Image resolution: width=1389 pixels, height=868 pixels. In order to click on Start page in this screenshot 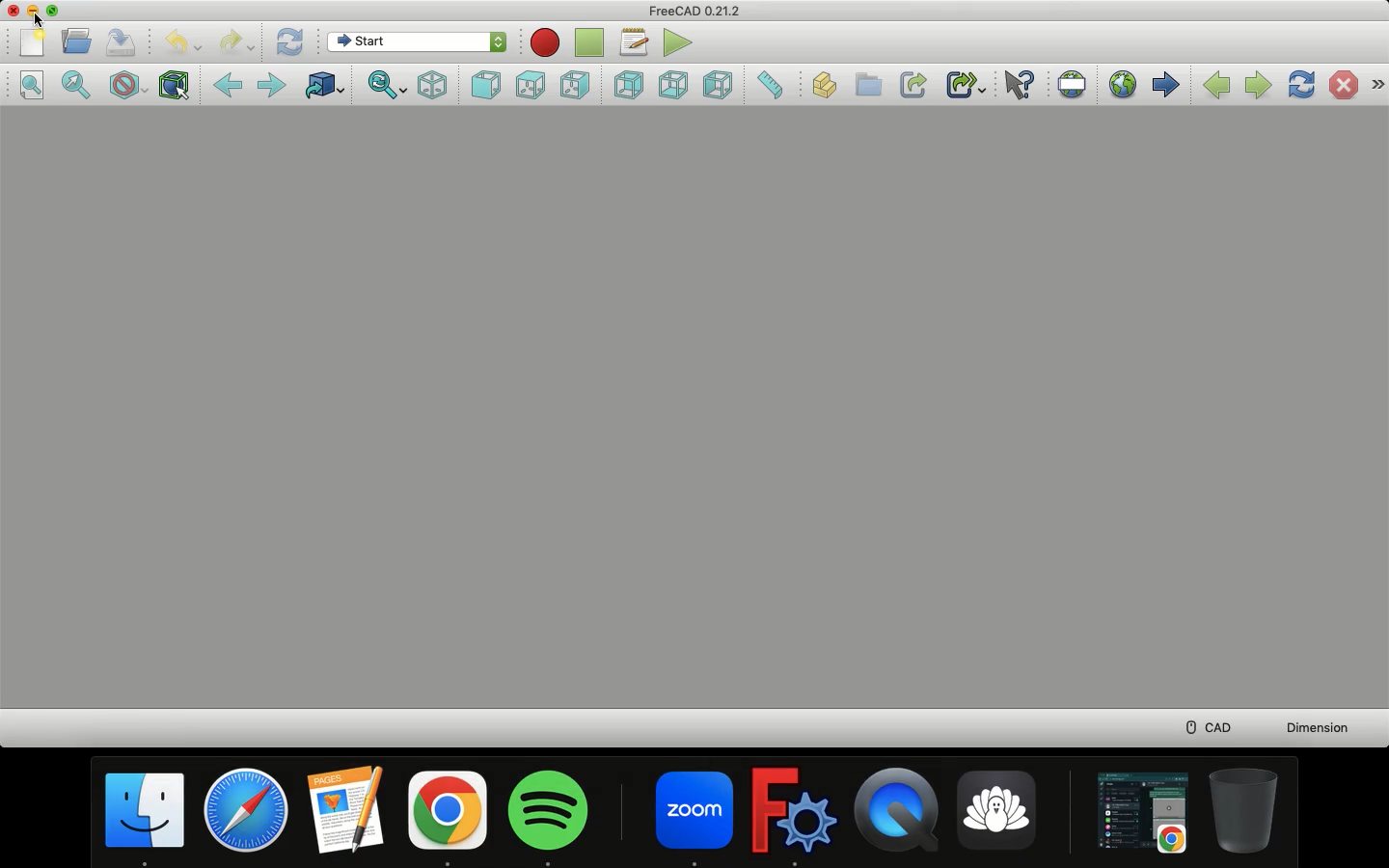, I will do `click(1166, 83)`.